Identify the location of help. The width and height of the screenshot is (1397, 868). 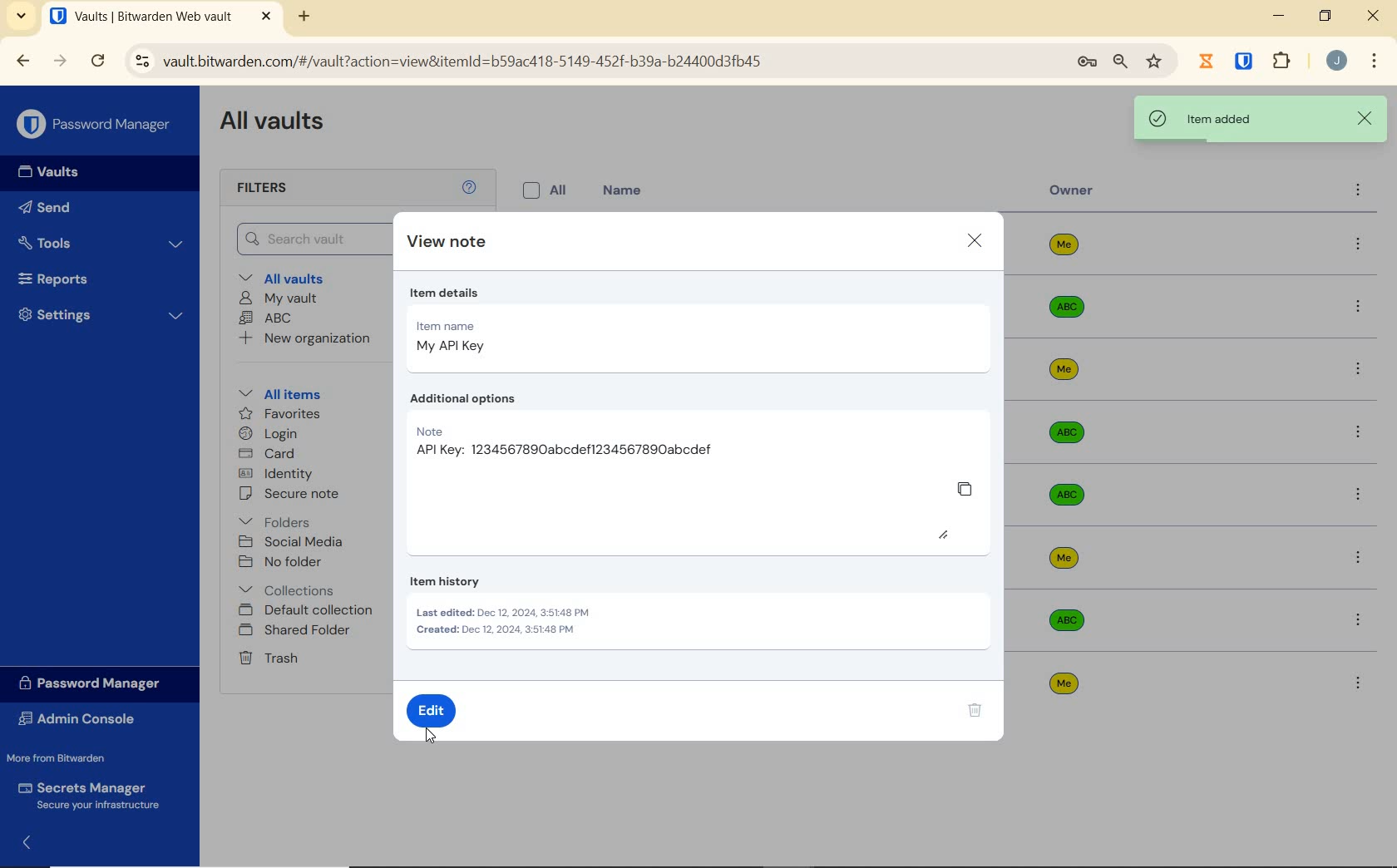
(471, 189).